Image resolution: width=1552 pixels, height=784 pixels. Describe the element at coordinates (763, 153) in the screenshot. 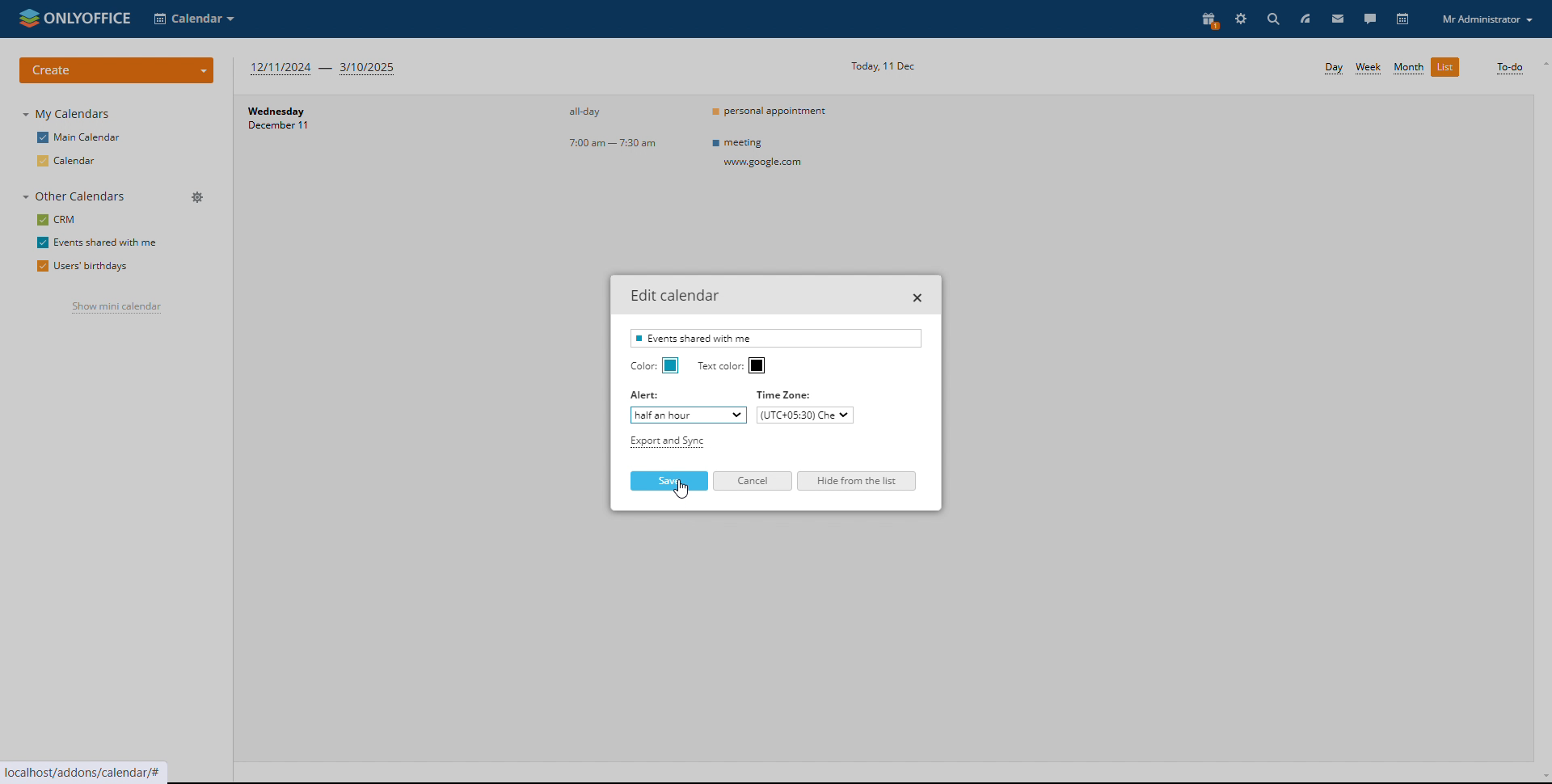

I see `meeting` at that location.